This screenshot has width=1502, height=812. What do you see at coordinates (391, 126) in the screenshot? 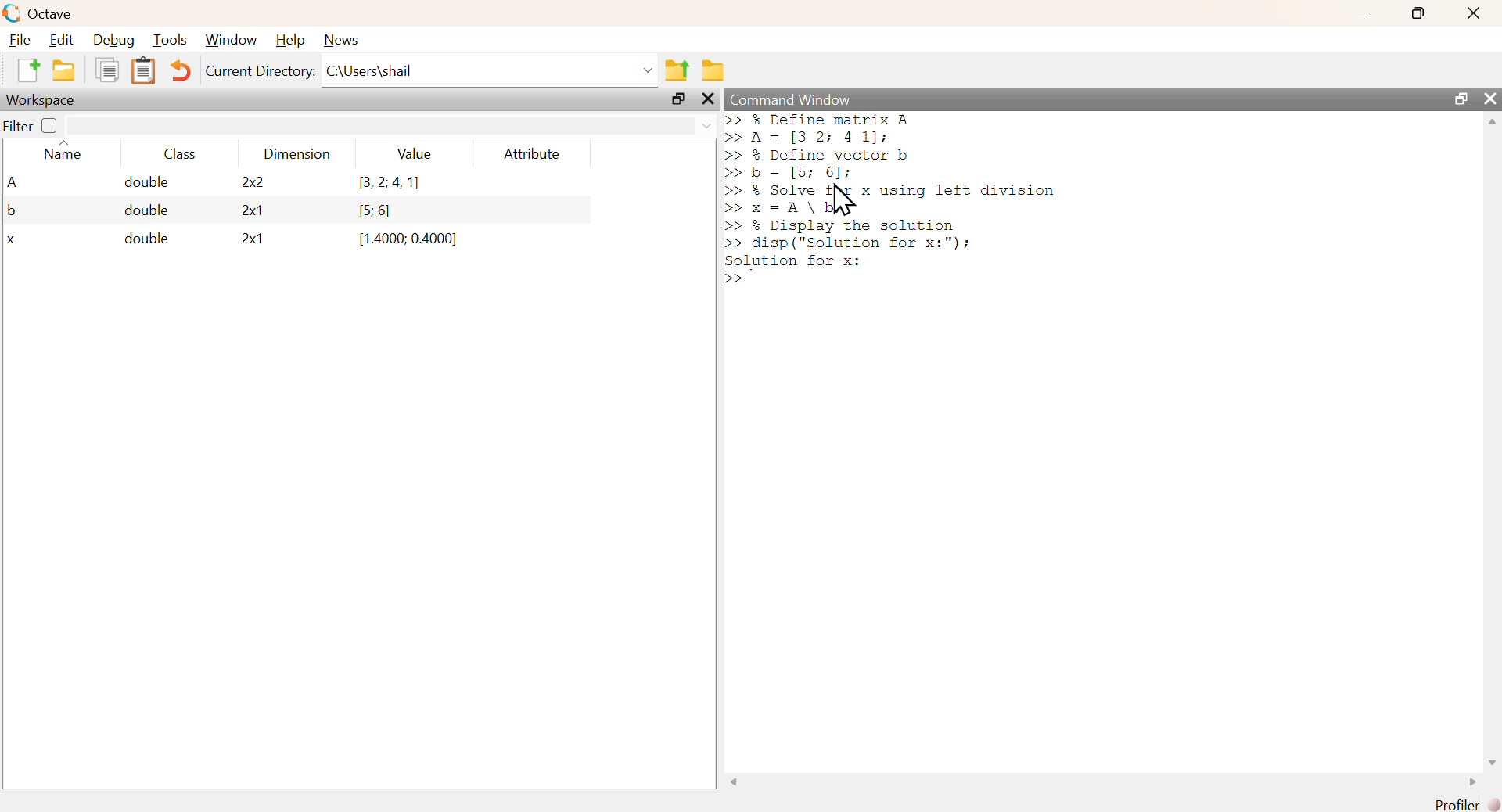
I see `filter` at bounding box center [391, 126].